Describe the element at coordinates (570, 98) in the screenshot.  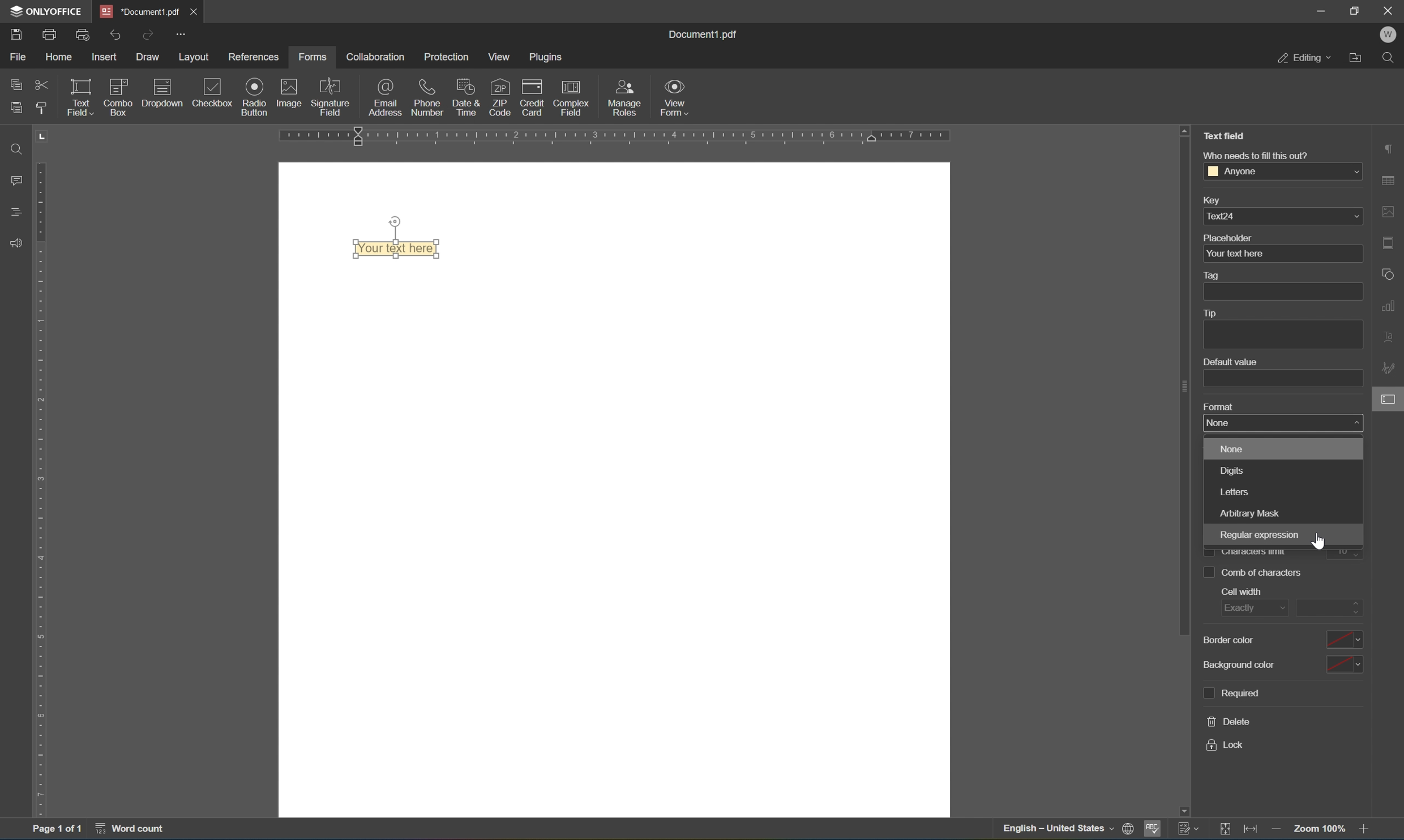
I see `complex field` at that location.